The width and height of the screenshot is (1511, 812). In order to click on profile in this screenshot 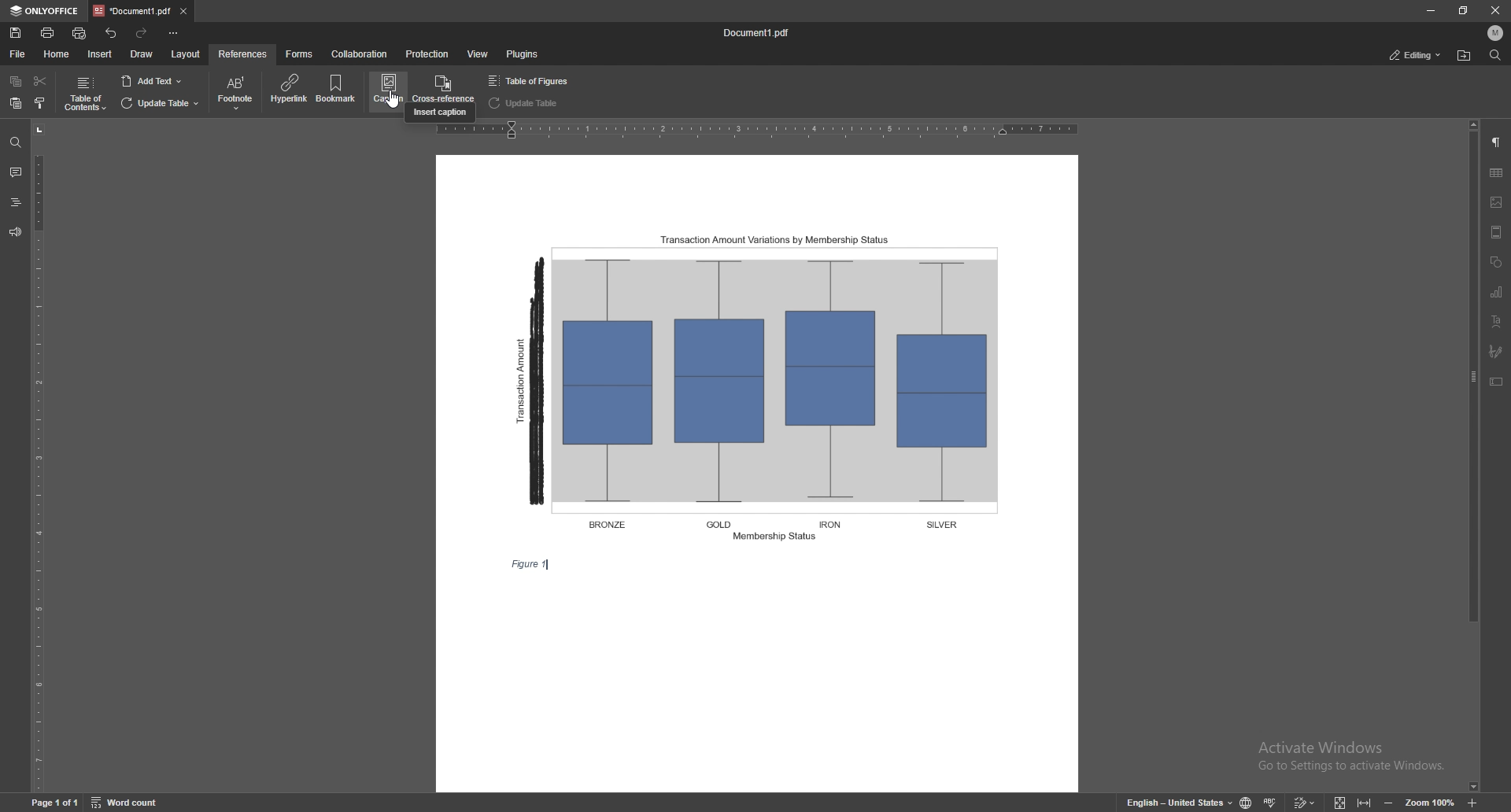, I will do `click(1495, 32)`.